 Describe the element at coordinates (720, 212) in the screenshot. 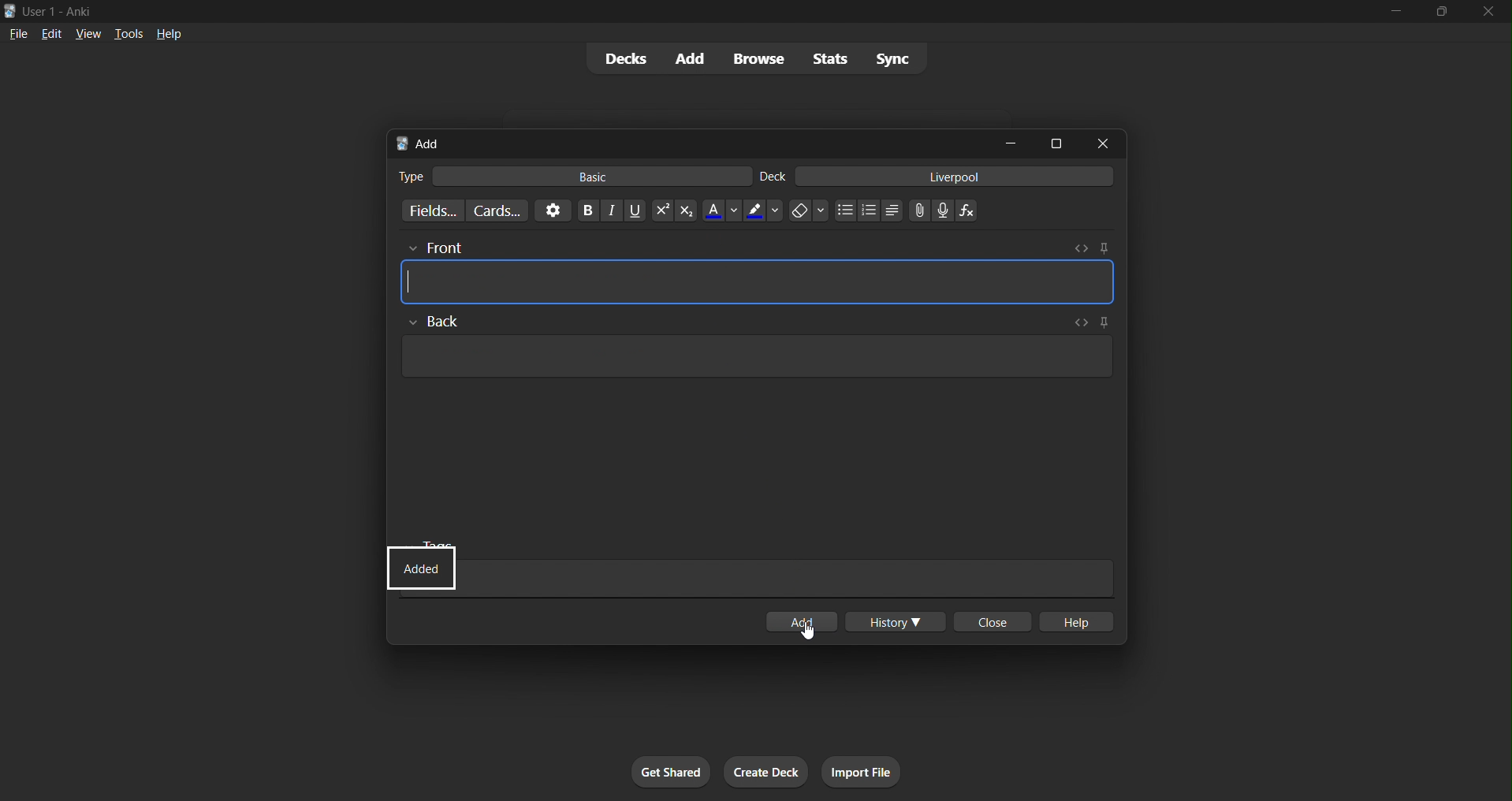

I see `text color` at that location.